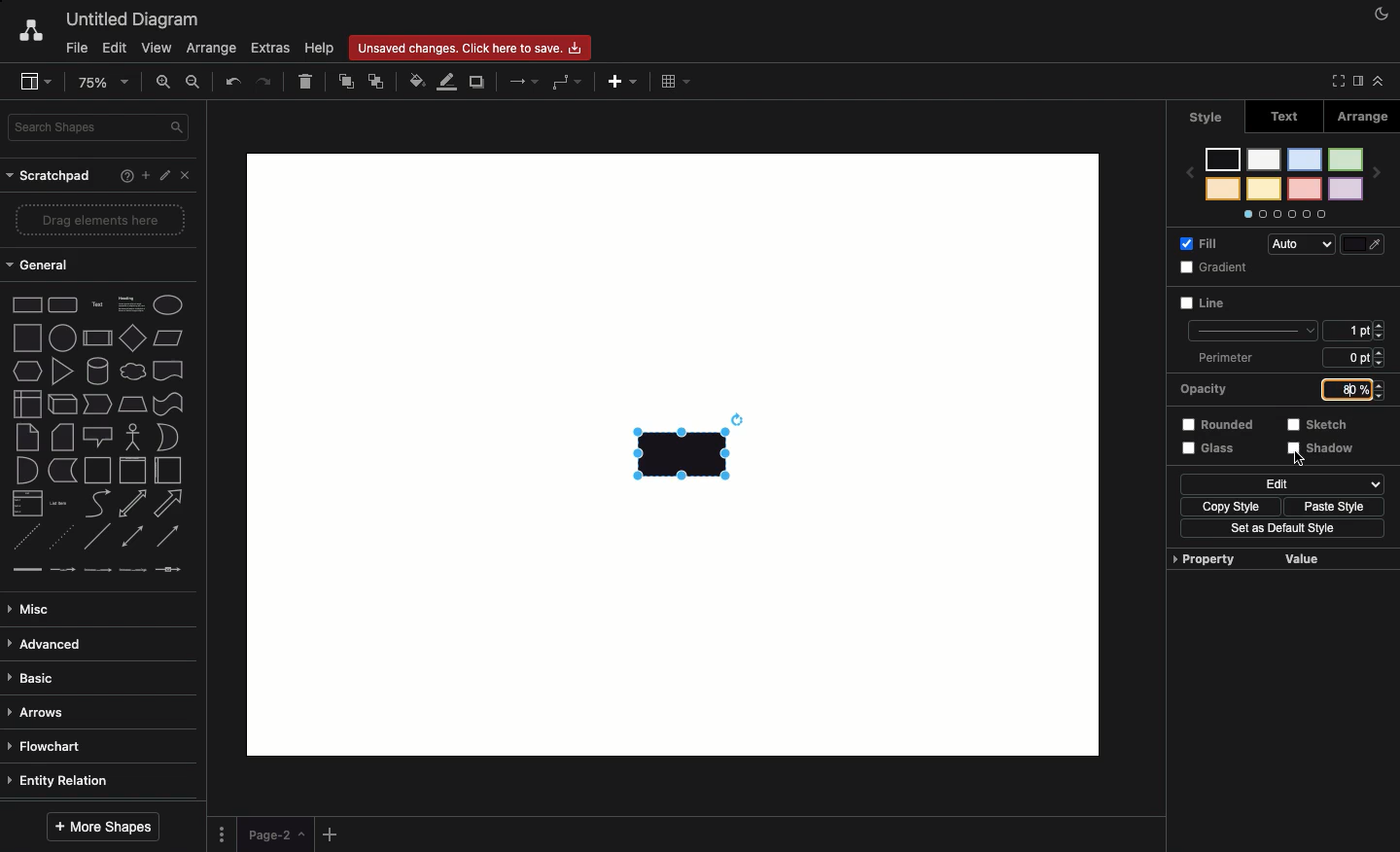  I want to click on color 1, so click(1346, 160).